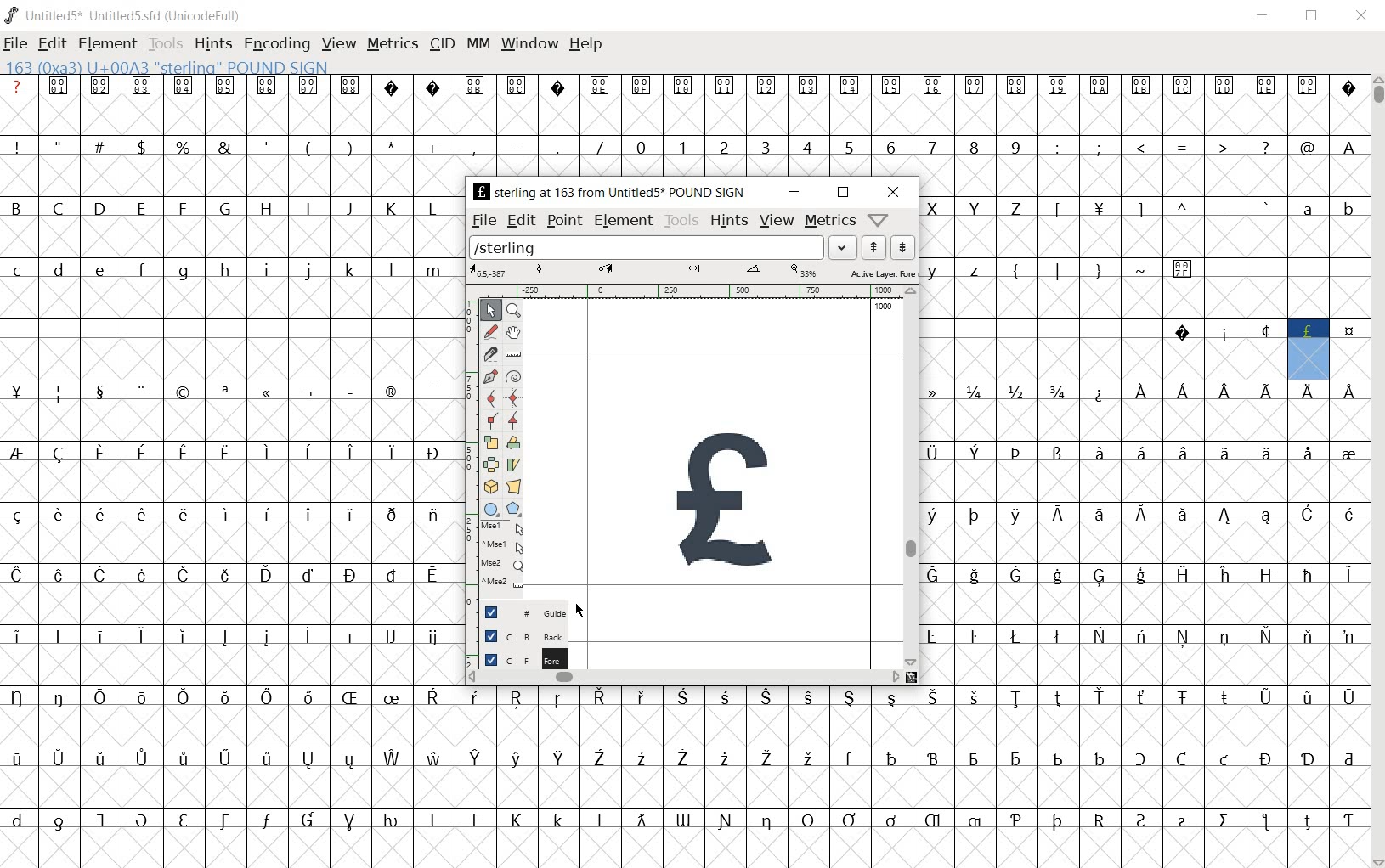 This screenshot has width=1385, height=868. What do you see at coordinates (1182, 573) in the screenshot?
I see `Symbol` at bounding box center [1182, 573].